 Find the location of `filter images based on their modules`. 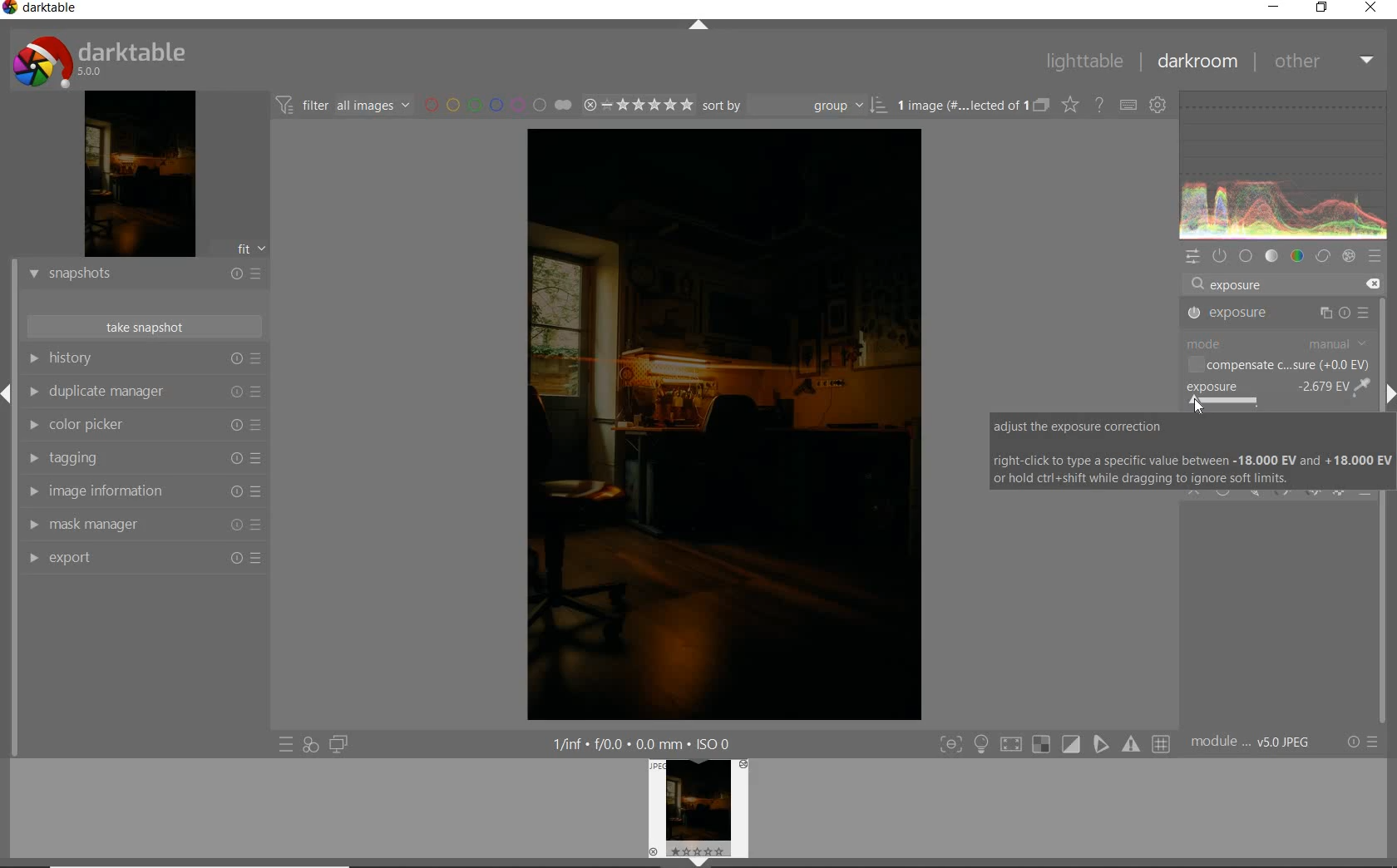

filter images based on their modules is located at coordinates (344, 106).